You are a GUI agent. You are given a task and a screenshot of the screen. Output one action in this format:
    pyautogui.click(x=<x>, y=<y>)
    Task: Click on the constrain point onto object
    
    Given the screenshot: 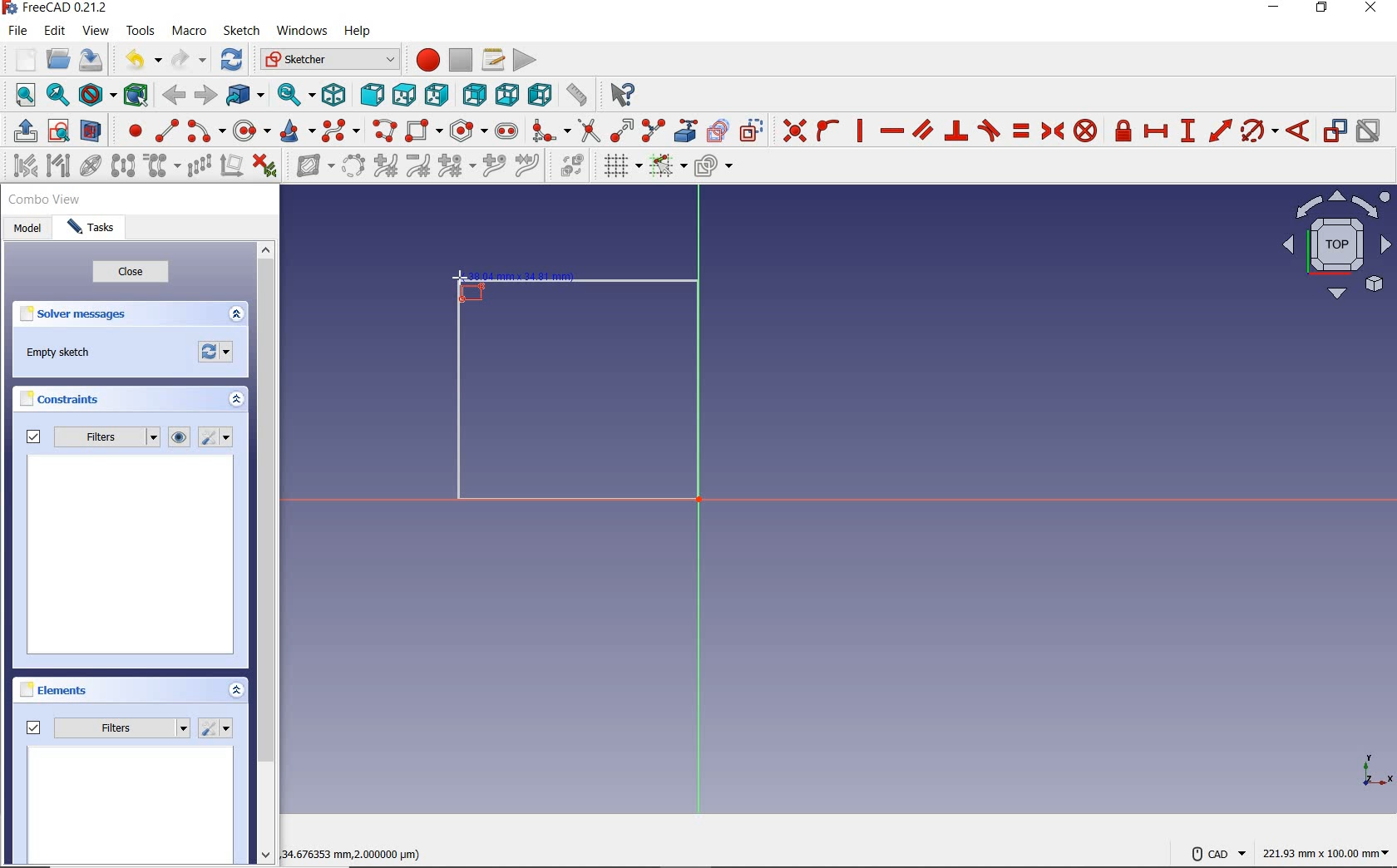 What is the action you would take?
    pyautogui.click(x=827, y=131)
    